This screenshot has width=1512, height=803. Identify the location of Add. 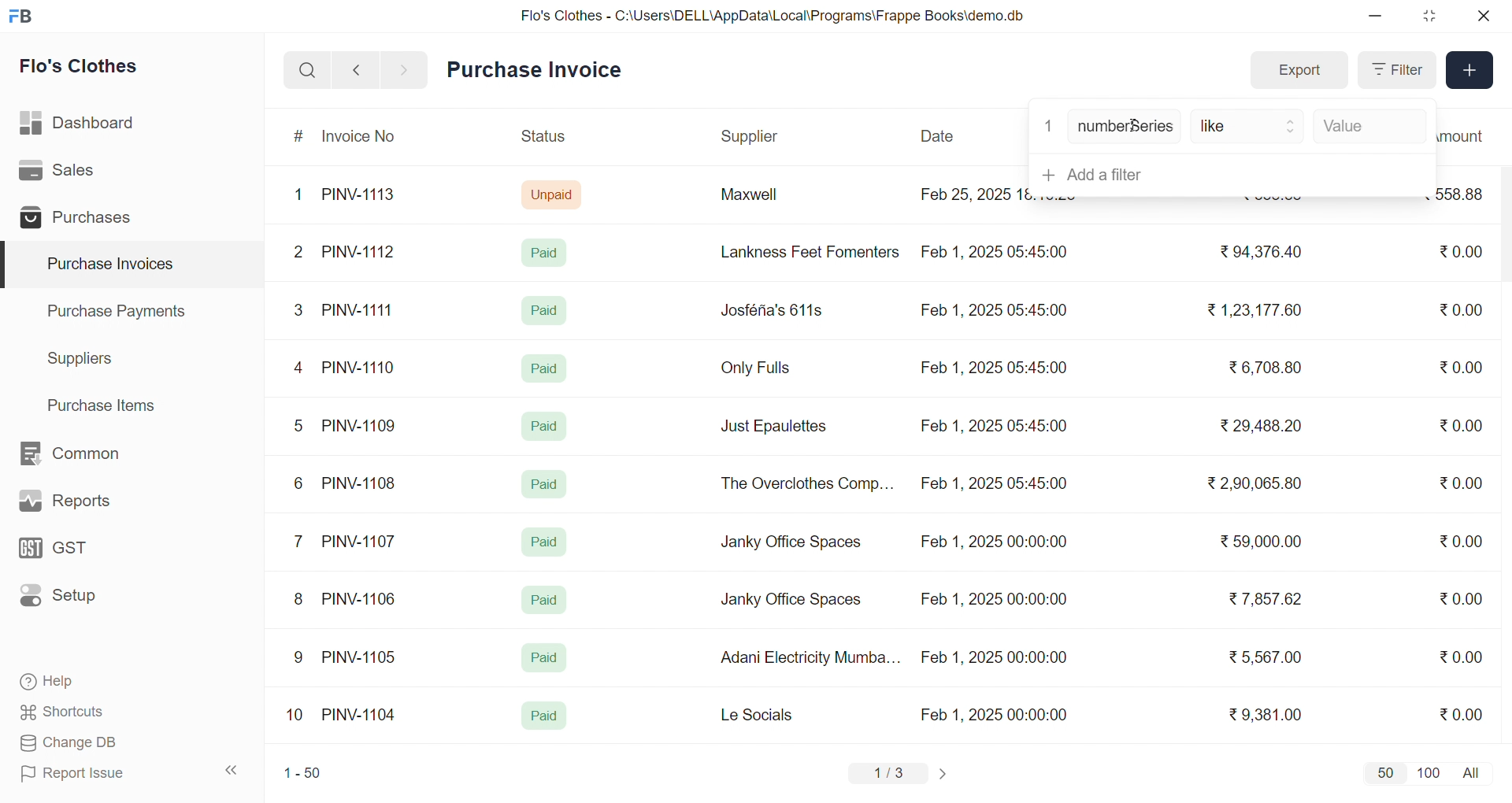
(1470, 71).